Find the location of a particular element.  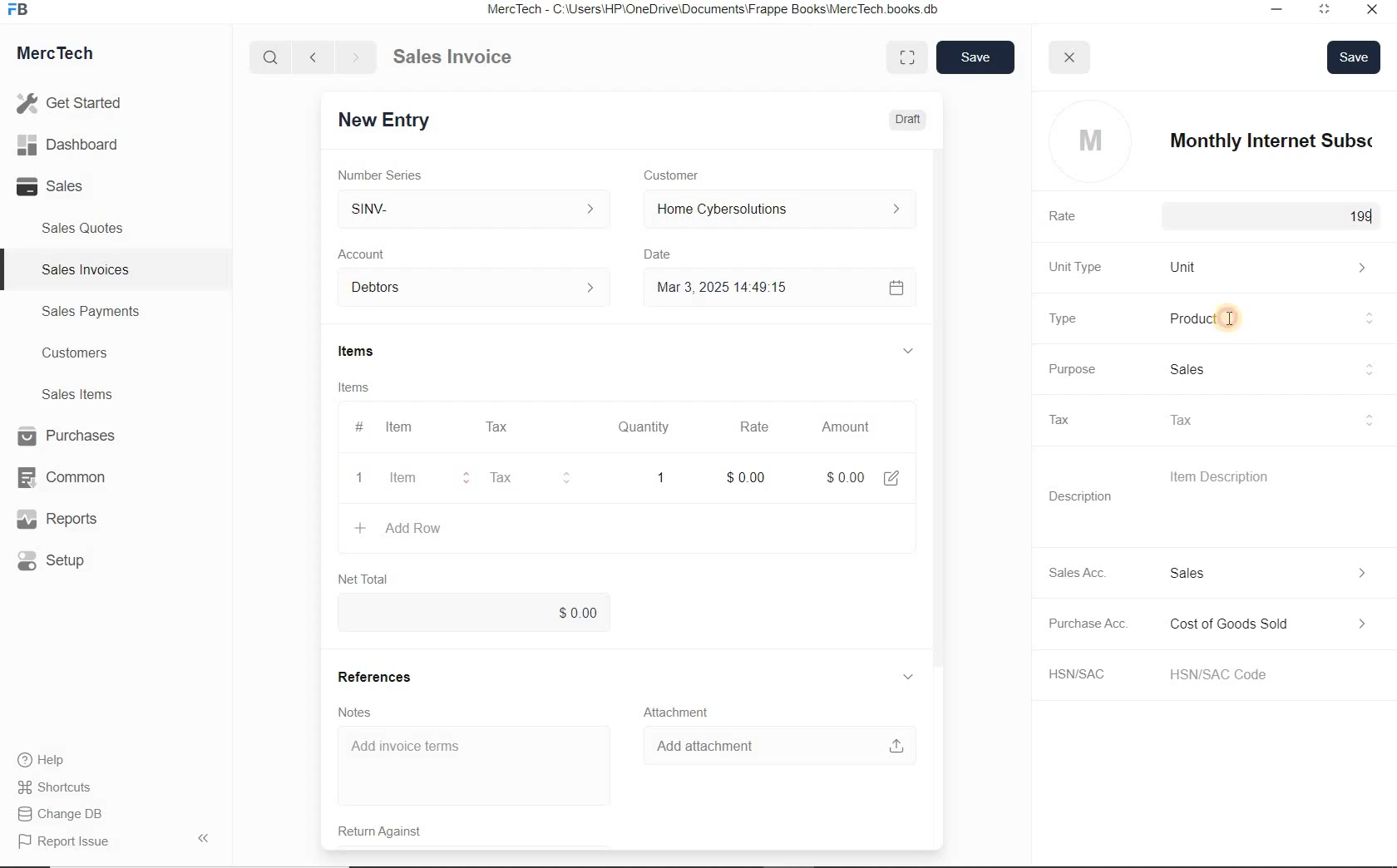

$199 is located at coordinates (1340, 216).